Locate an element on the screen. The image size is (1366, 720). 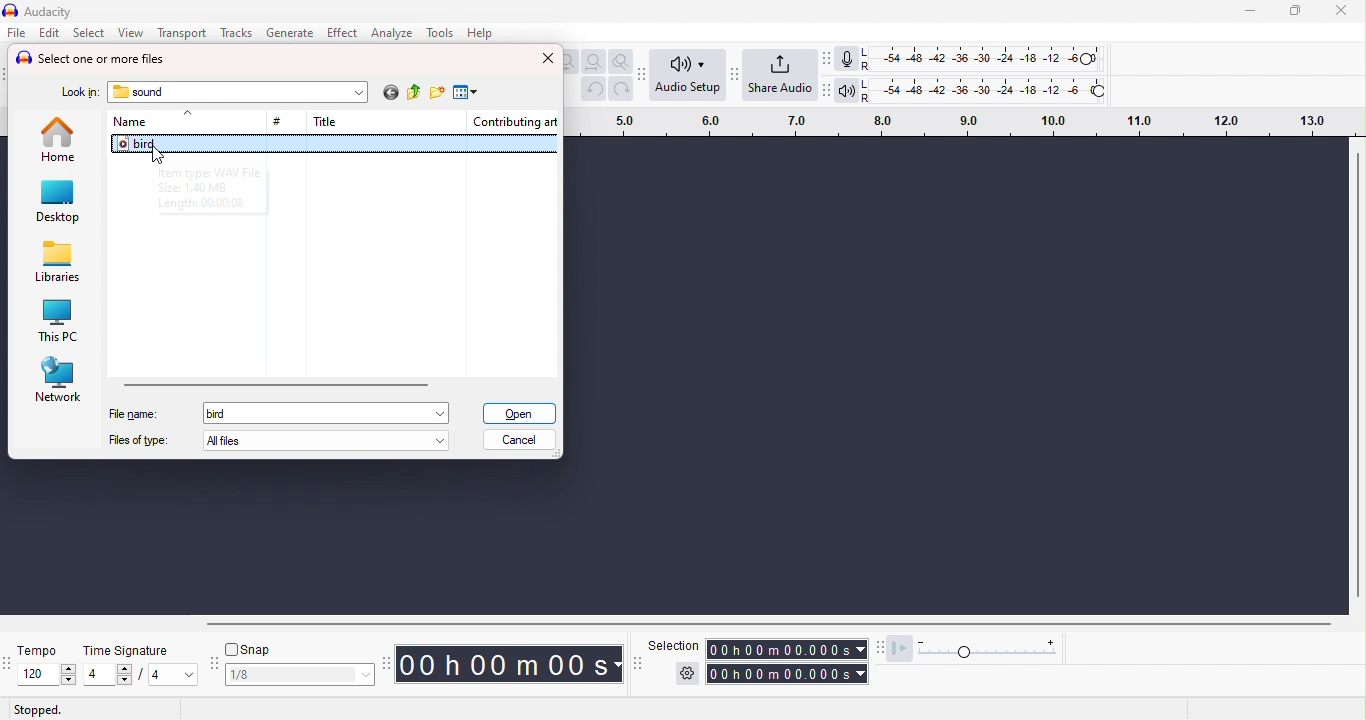
stopped is located at coordinates (38, 710).